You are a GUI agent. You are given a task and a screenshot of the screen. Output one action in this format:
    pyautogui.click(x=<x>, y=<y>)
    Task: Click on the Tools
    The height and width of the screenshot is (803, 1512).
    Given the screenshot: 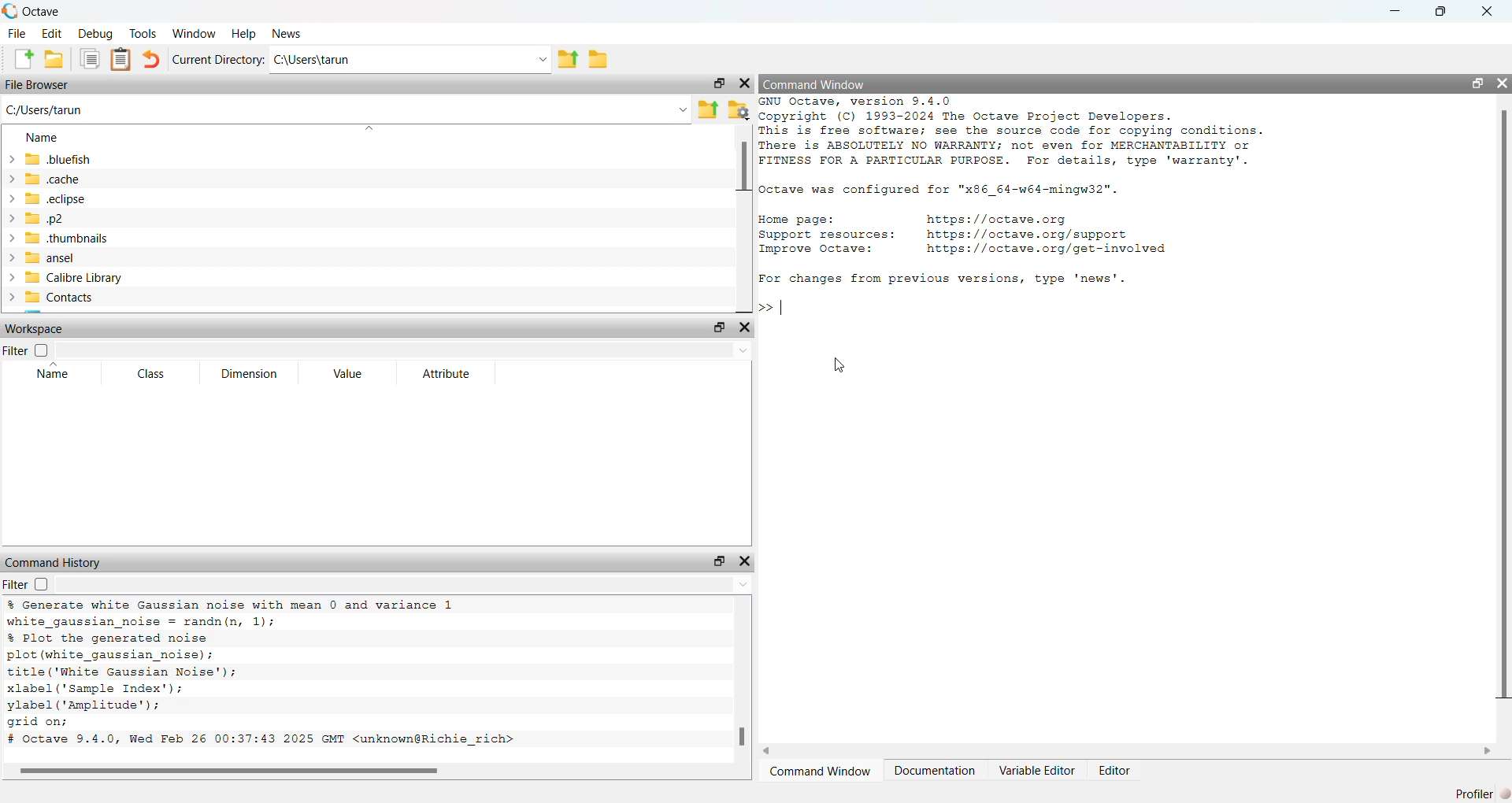 What is the action you would take?
    pyautogui.click(x=141, y=33)
    